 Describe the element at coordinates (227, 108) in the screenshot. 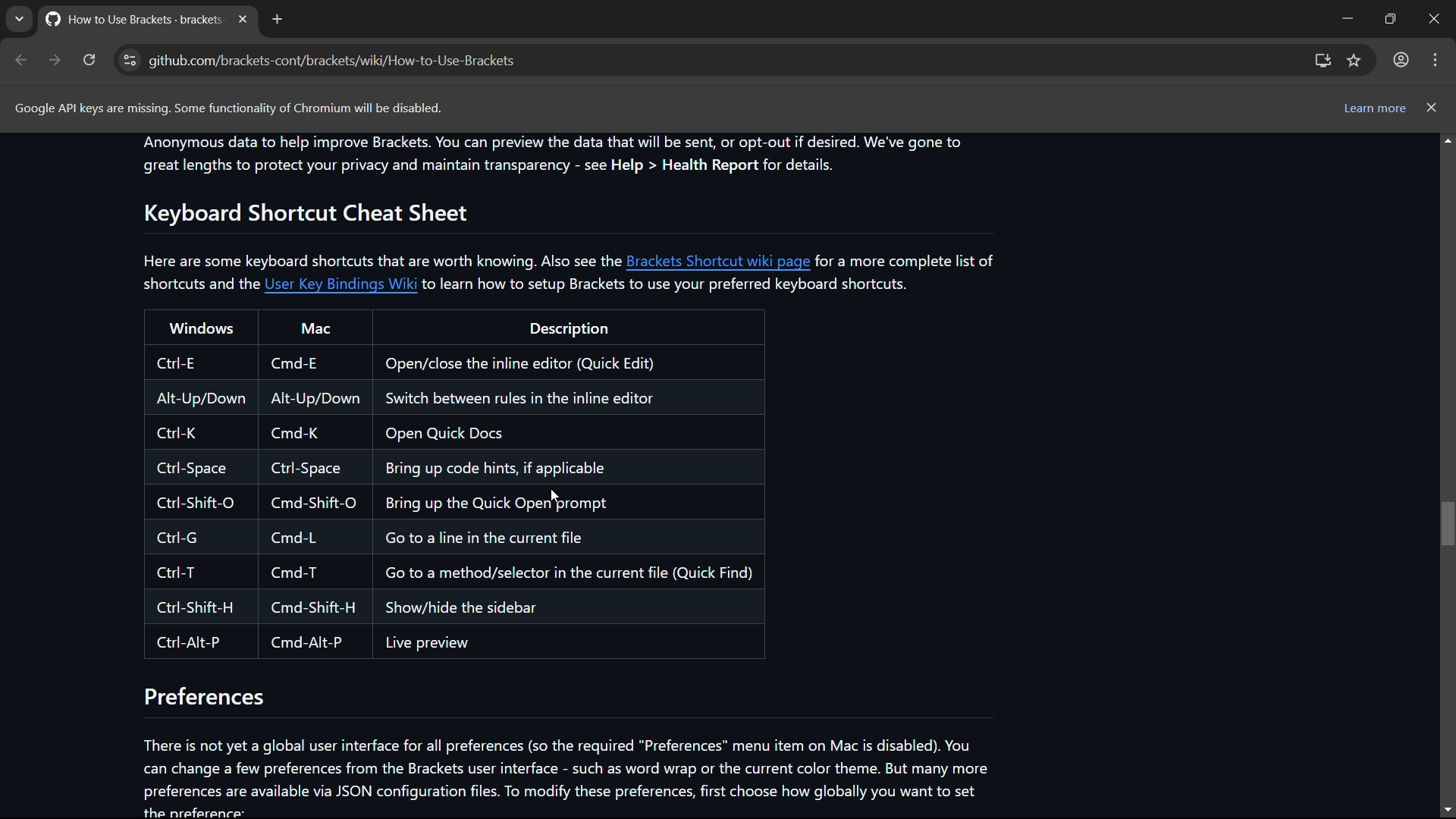

I see `Google API keys are missing. Some functionality of Chromium will be disabled.` at that location.